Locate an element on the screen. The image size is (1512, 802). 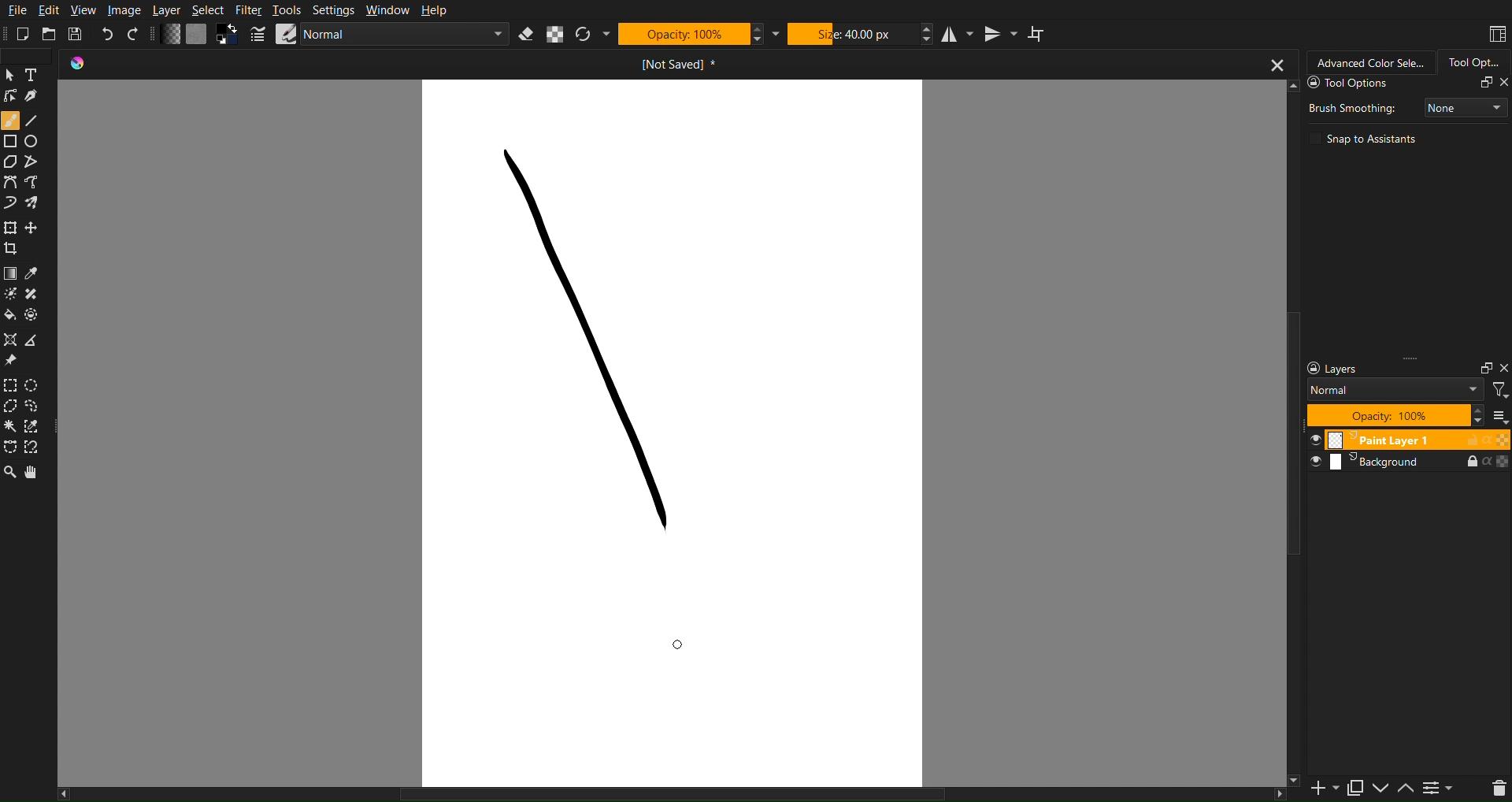
Scrollbar is located at coordinates (1289, 434).